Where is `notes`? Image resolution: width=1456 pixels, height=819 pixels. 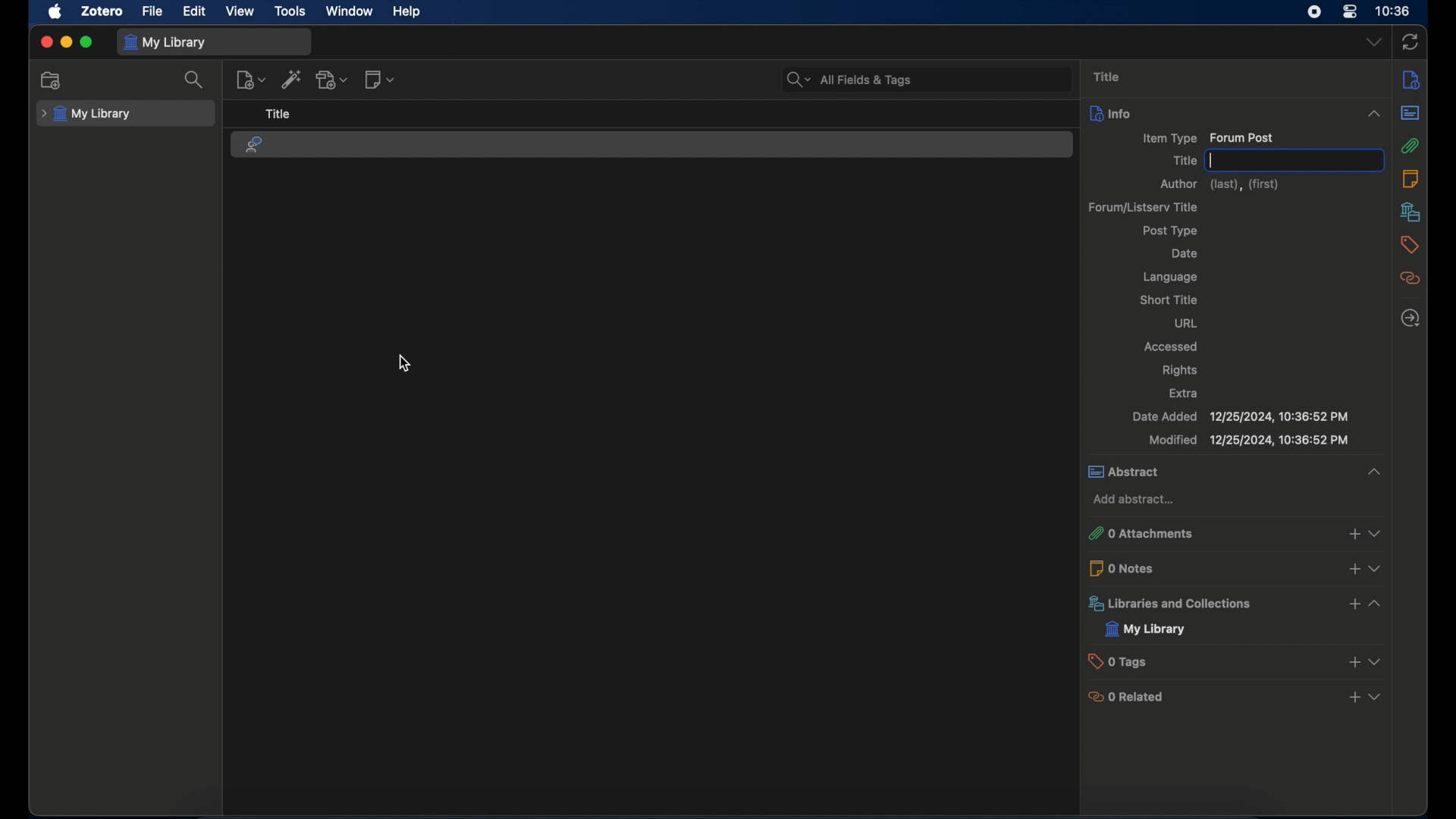 notes is located at coordinates (1410, 178).